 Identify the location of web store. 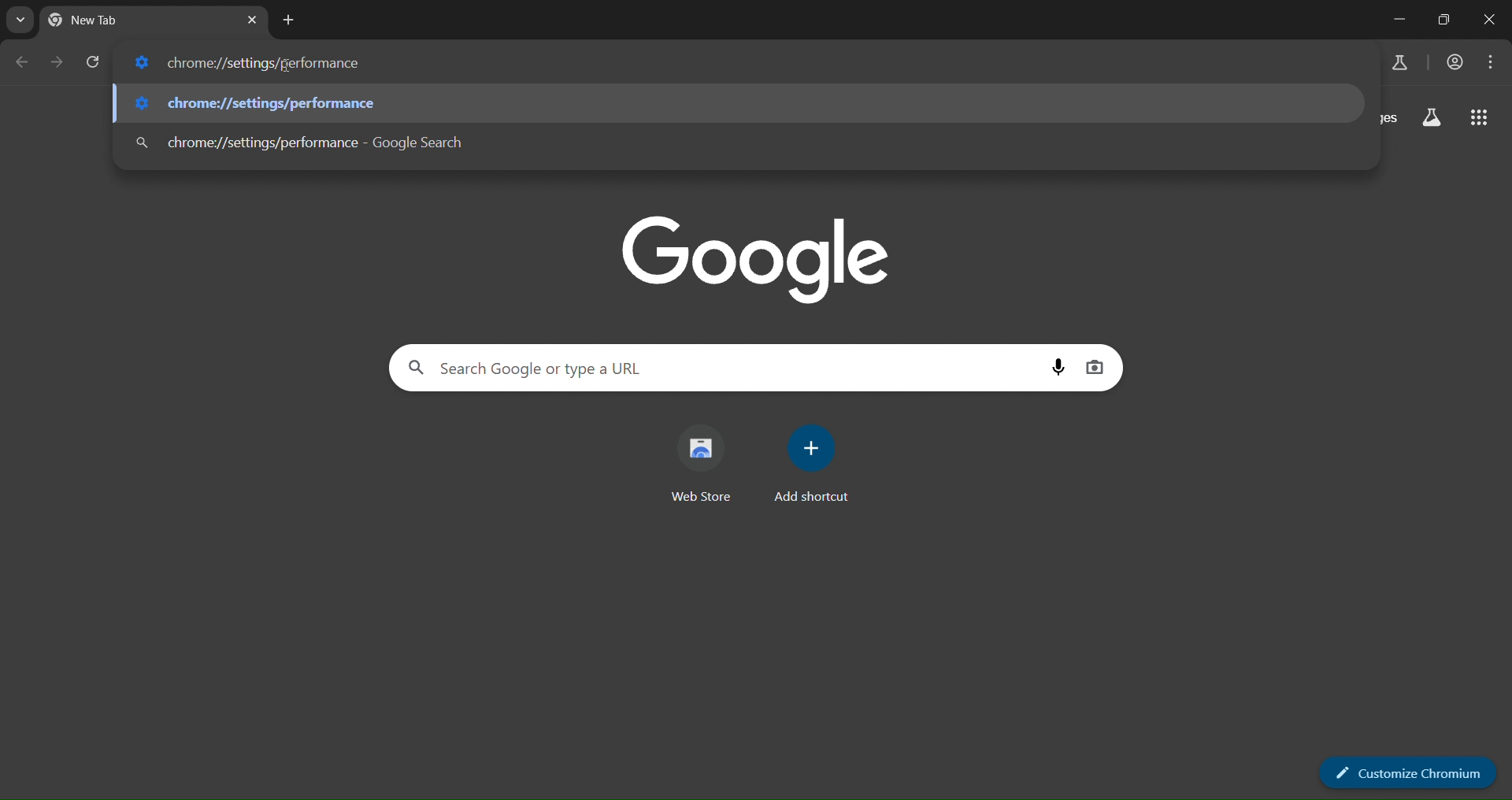
(706, 464).